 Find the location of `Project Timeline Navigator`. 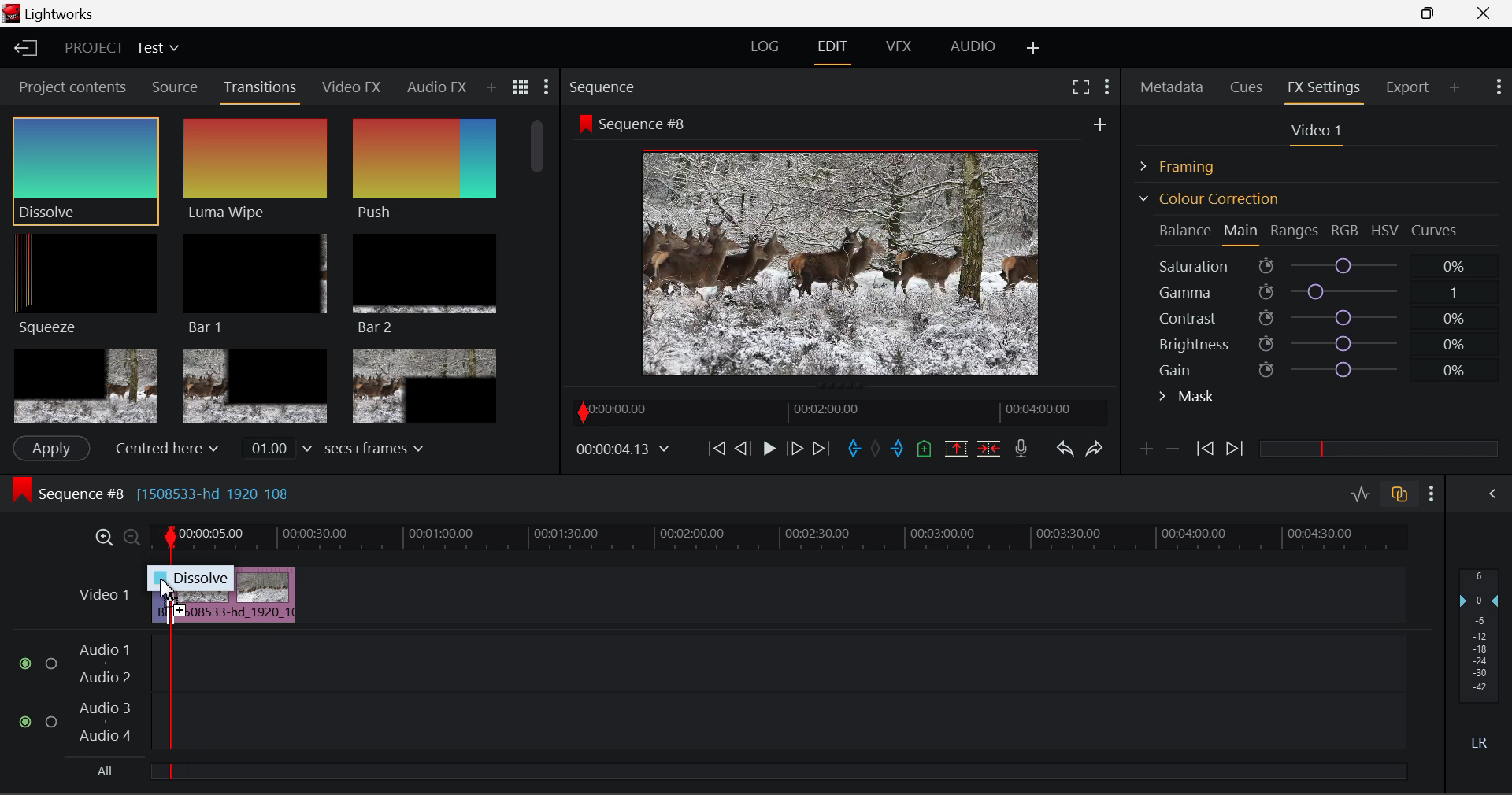

Project Timeline Navigator is located at coordinates (838, 412).